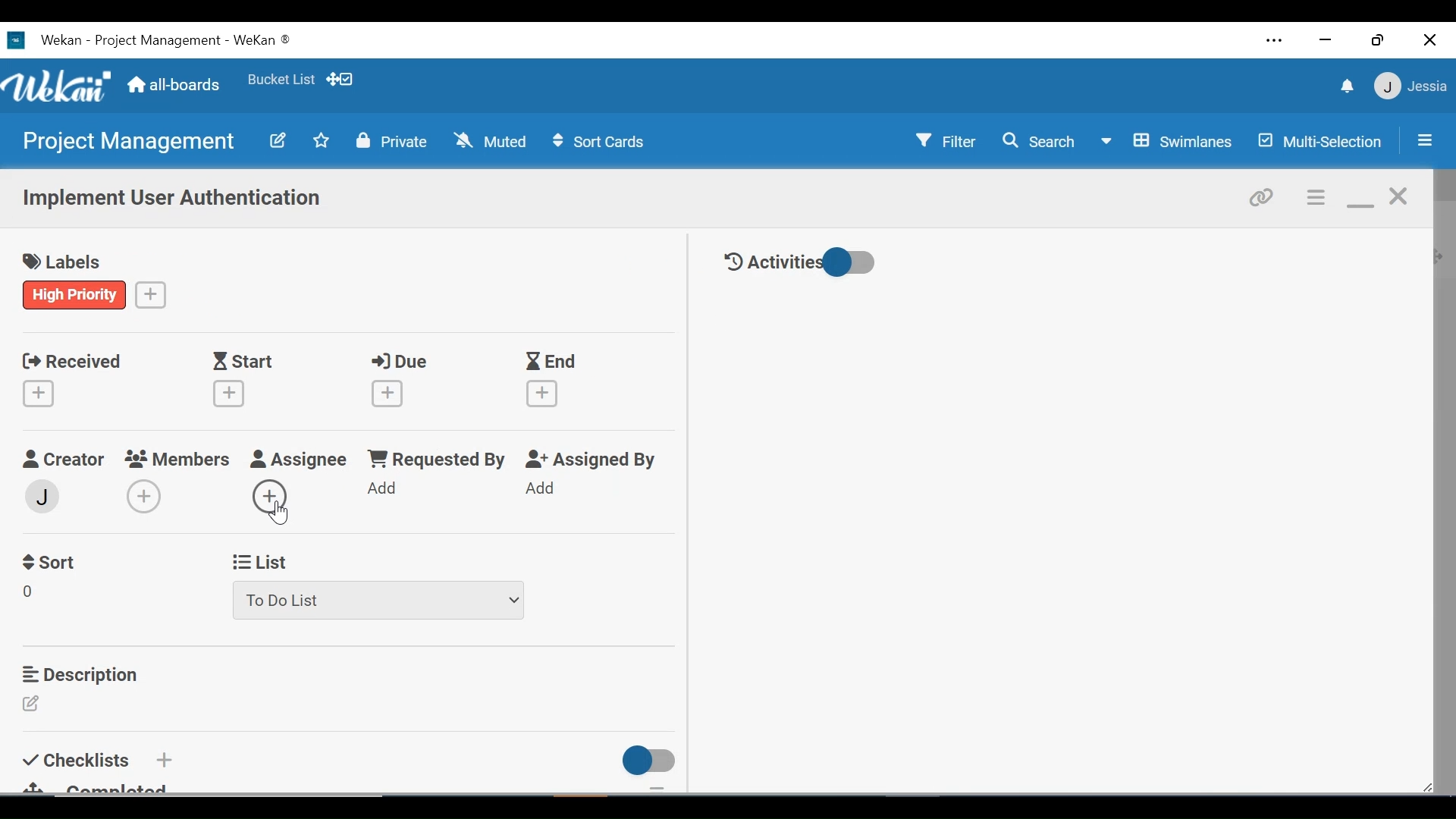 This screenshot has height=819, width=1456. Describe the element at coordinates (43, 495) in the screenshot. I see `Member` at that location.